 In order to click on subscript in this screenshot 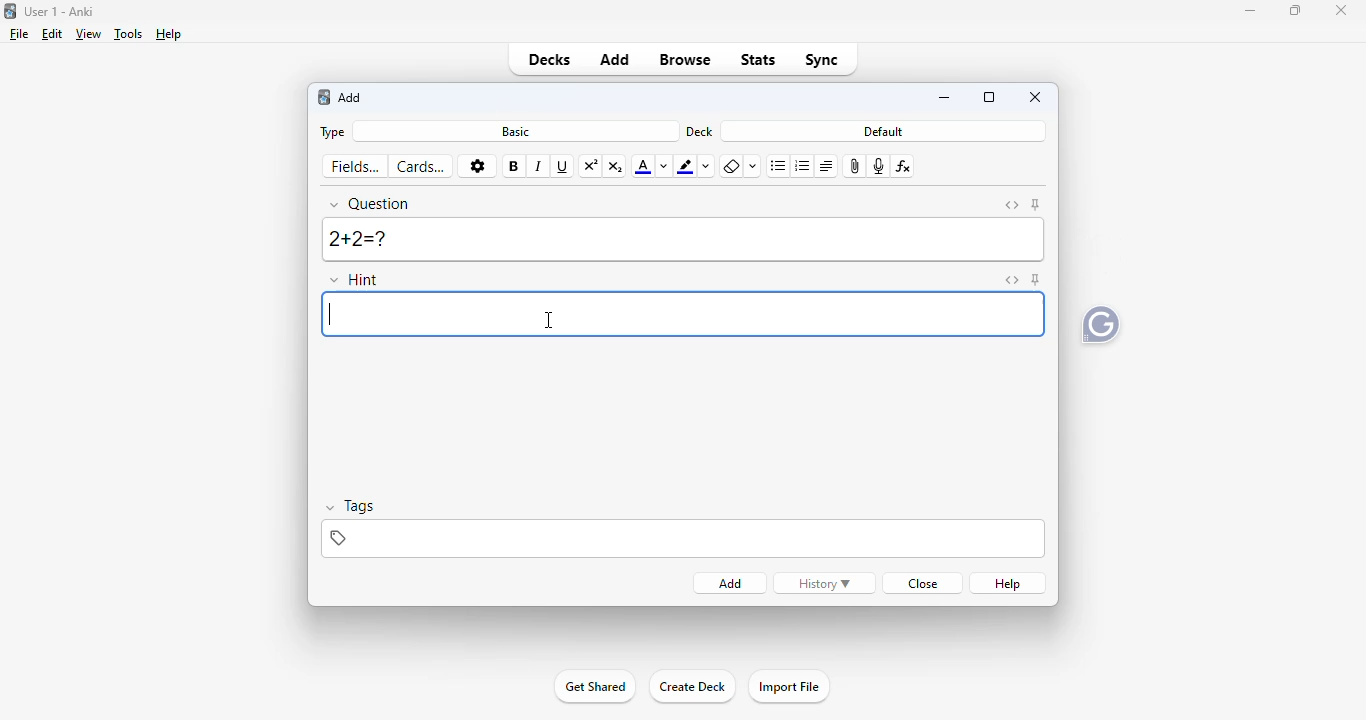, I will do `click(616, 168)`.